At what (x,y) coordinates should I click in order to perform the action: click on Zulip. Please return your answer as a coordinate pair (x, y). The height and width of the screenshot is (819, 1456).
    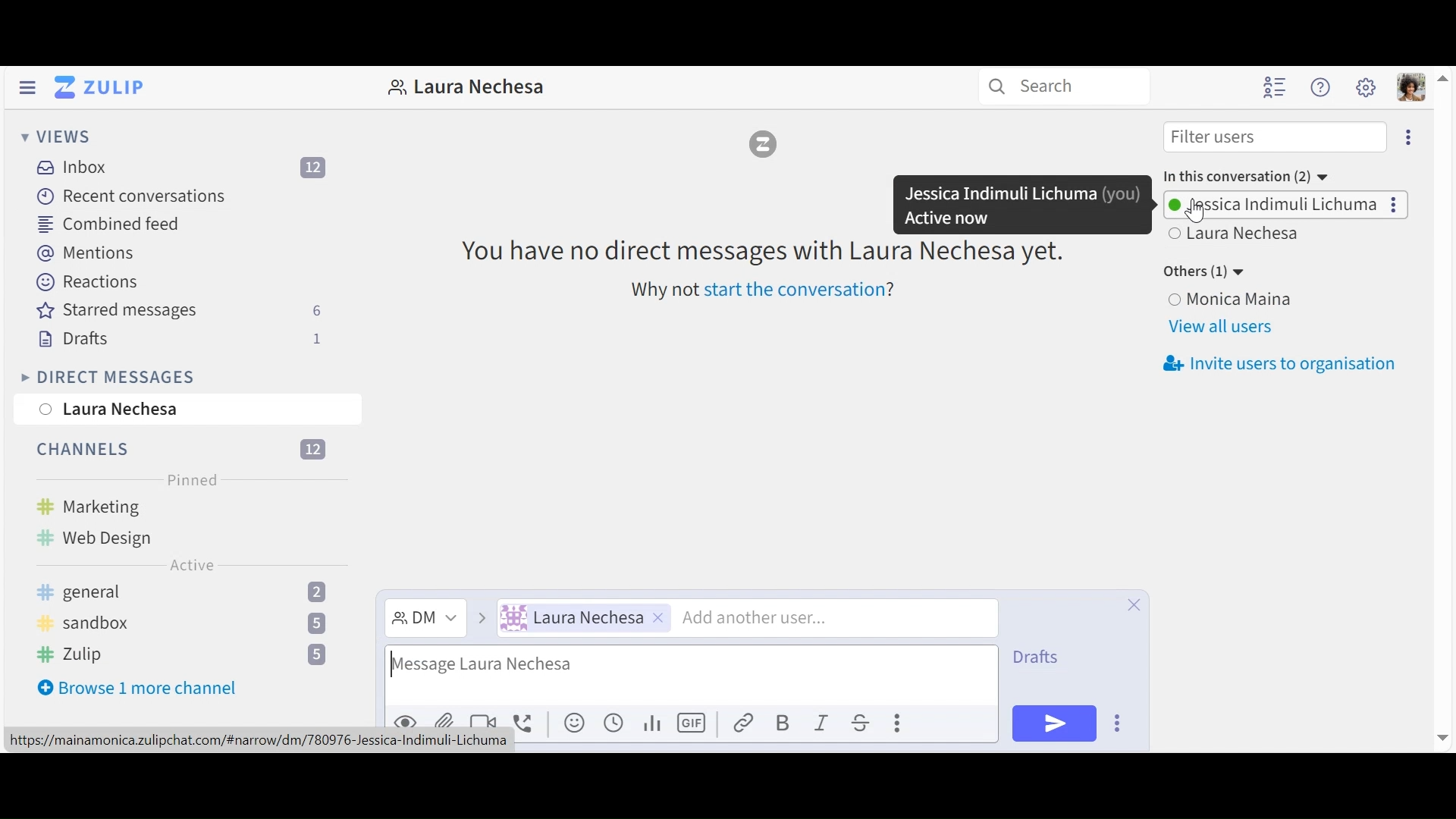
    Looking at the image, I should click on (182, 654).